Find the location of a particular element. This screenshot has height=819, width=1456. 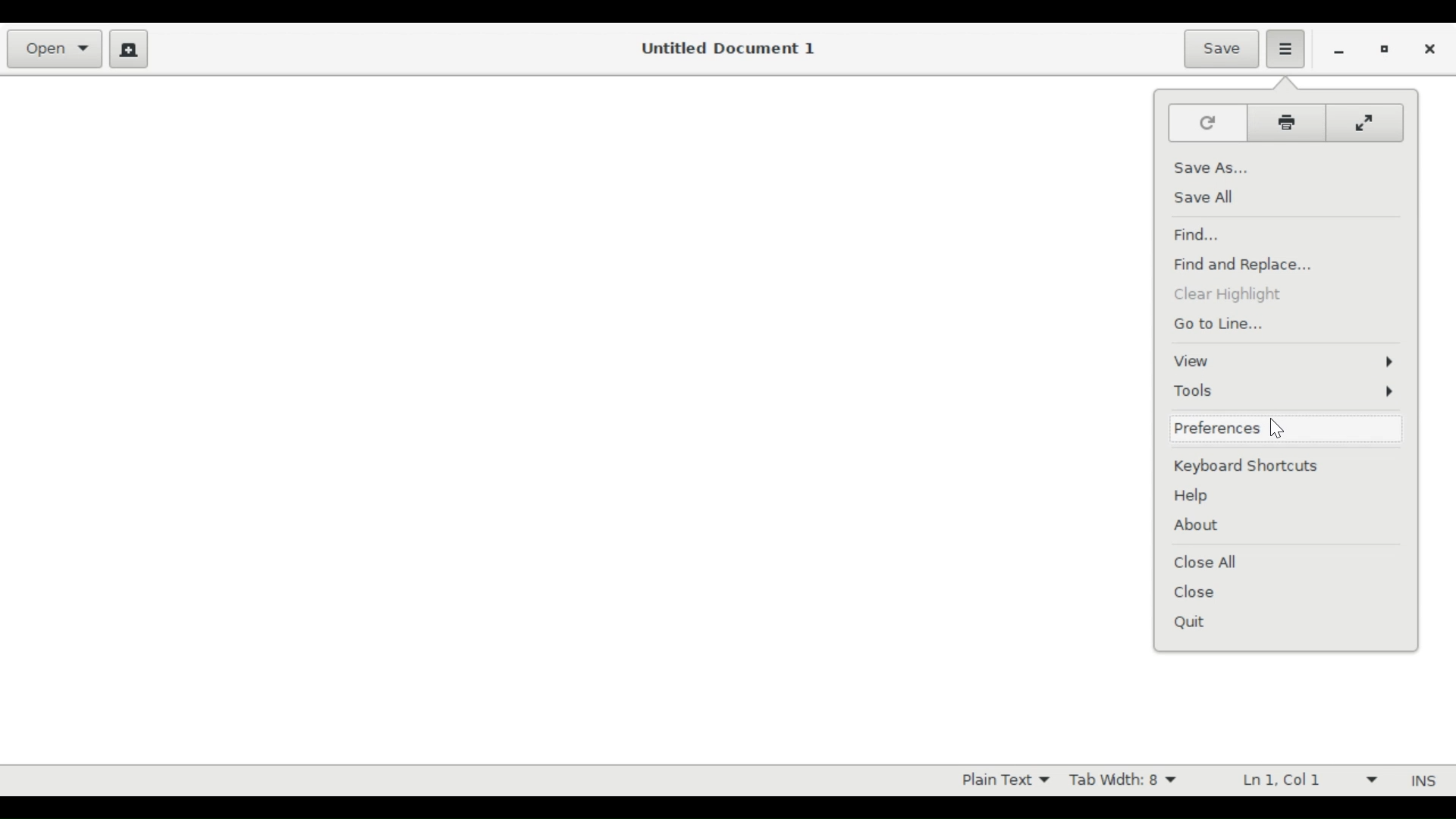

Create a new document is located at coordinates (128, 49).